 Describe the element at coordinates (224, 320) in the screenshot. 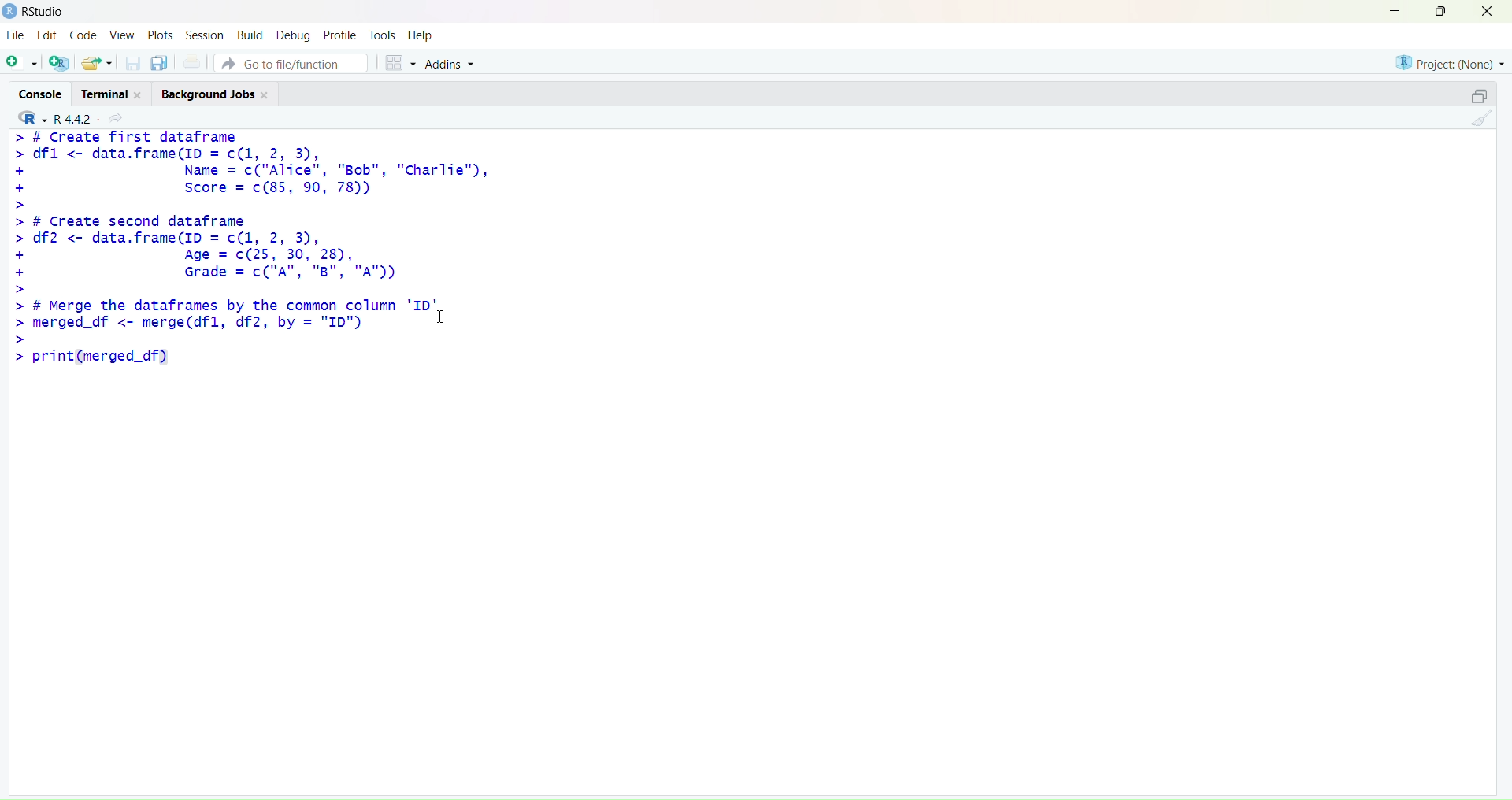

I see `# Merge the dataframes by the common column 'ID'
merged_df <- merge(dfl, df2, by = "ID")` at that location.